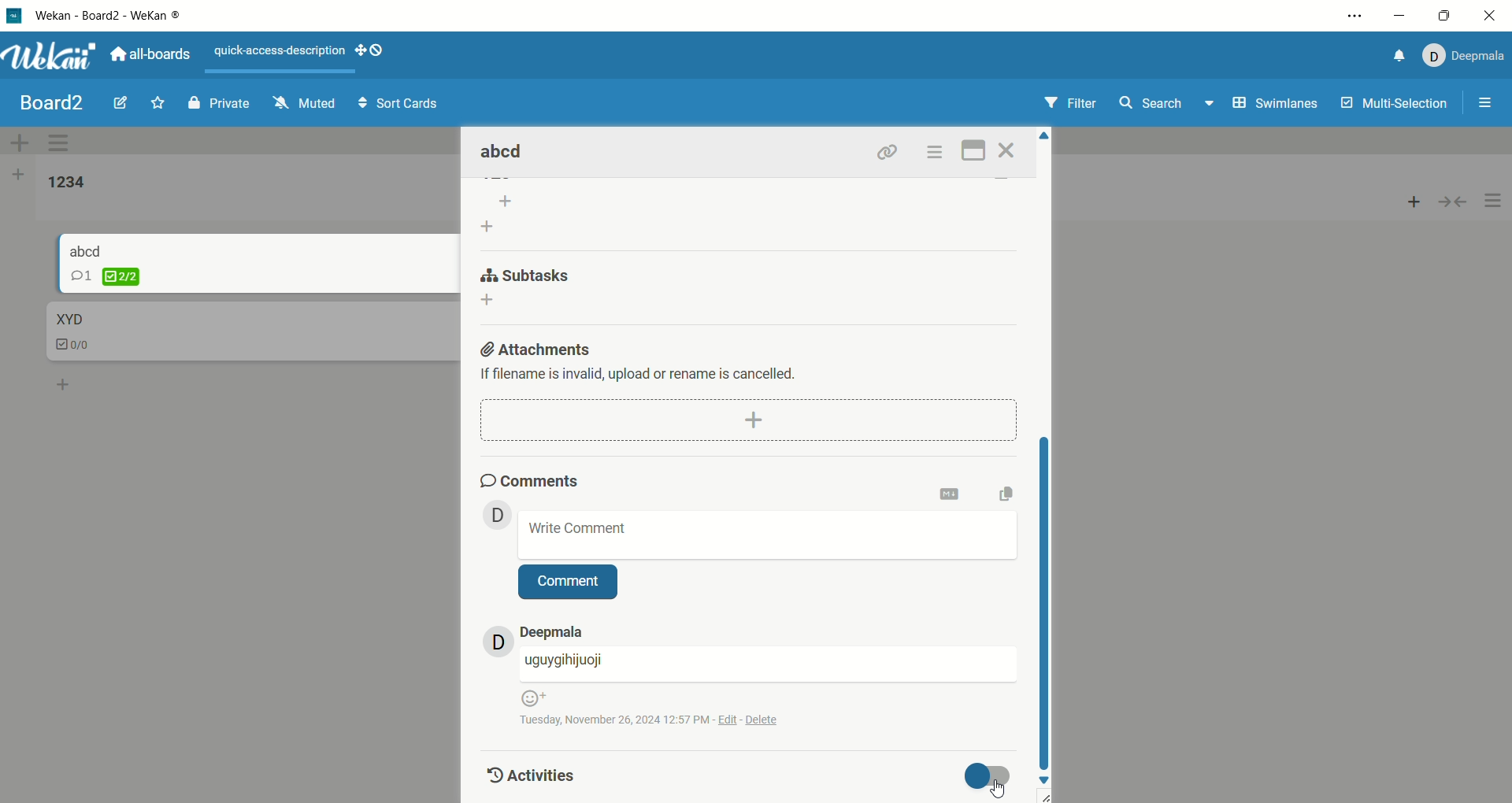 This screenshot has width=1512, height=803. What do you see at coordinates (54, 103) in the screenshot?
I see `board title` at bounding box center [54, 103].